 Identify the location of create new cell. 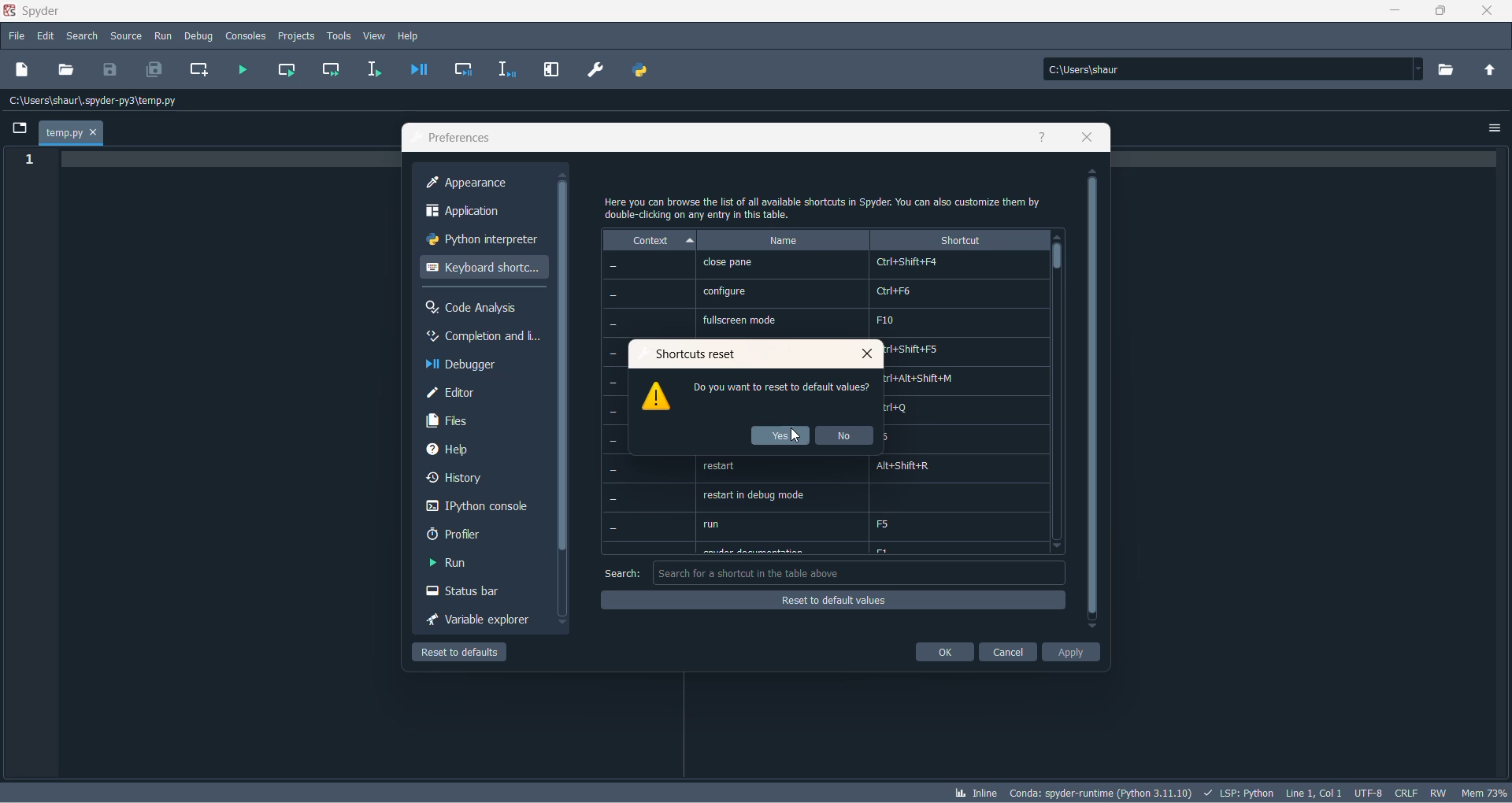
(201, 71).